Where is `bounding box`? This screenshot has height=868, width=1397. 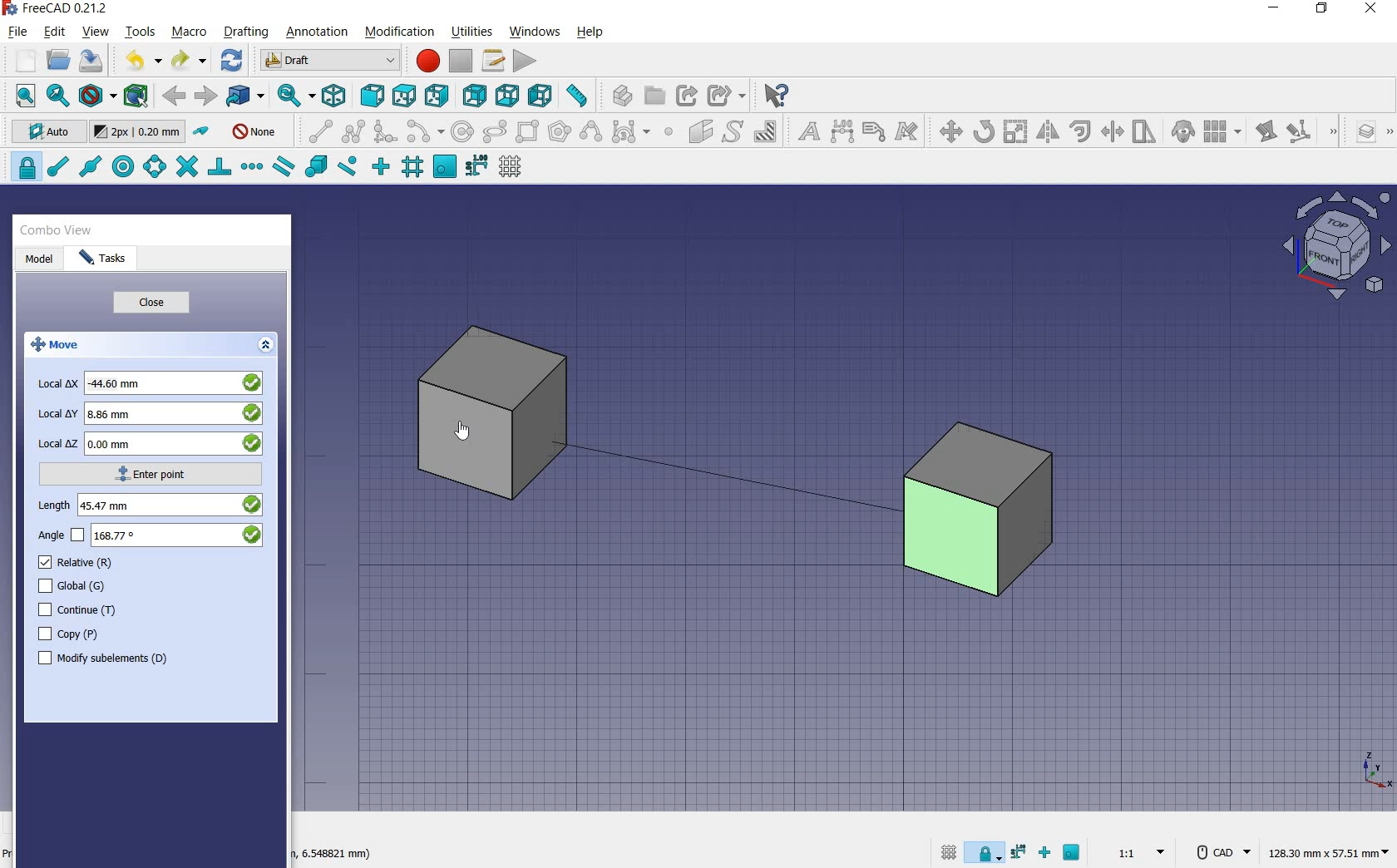
bounding box is located at coordinates (136, 96).